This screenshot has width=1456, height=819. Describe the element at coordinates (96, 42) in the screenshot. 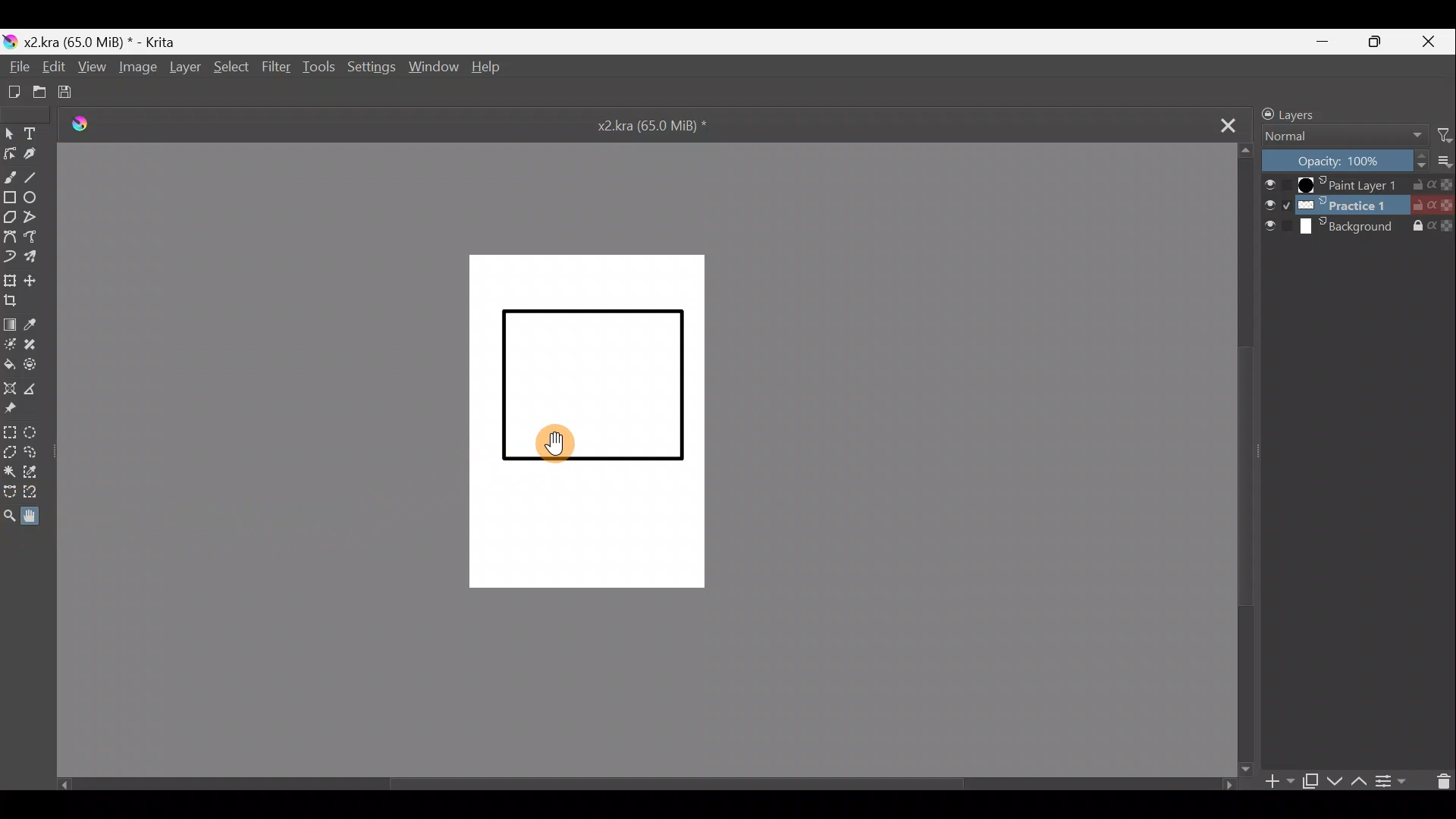

I see `) x2kra (65.0 MiB) * - Krita` at that location.